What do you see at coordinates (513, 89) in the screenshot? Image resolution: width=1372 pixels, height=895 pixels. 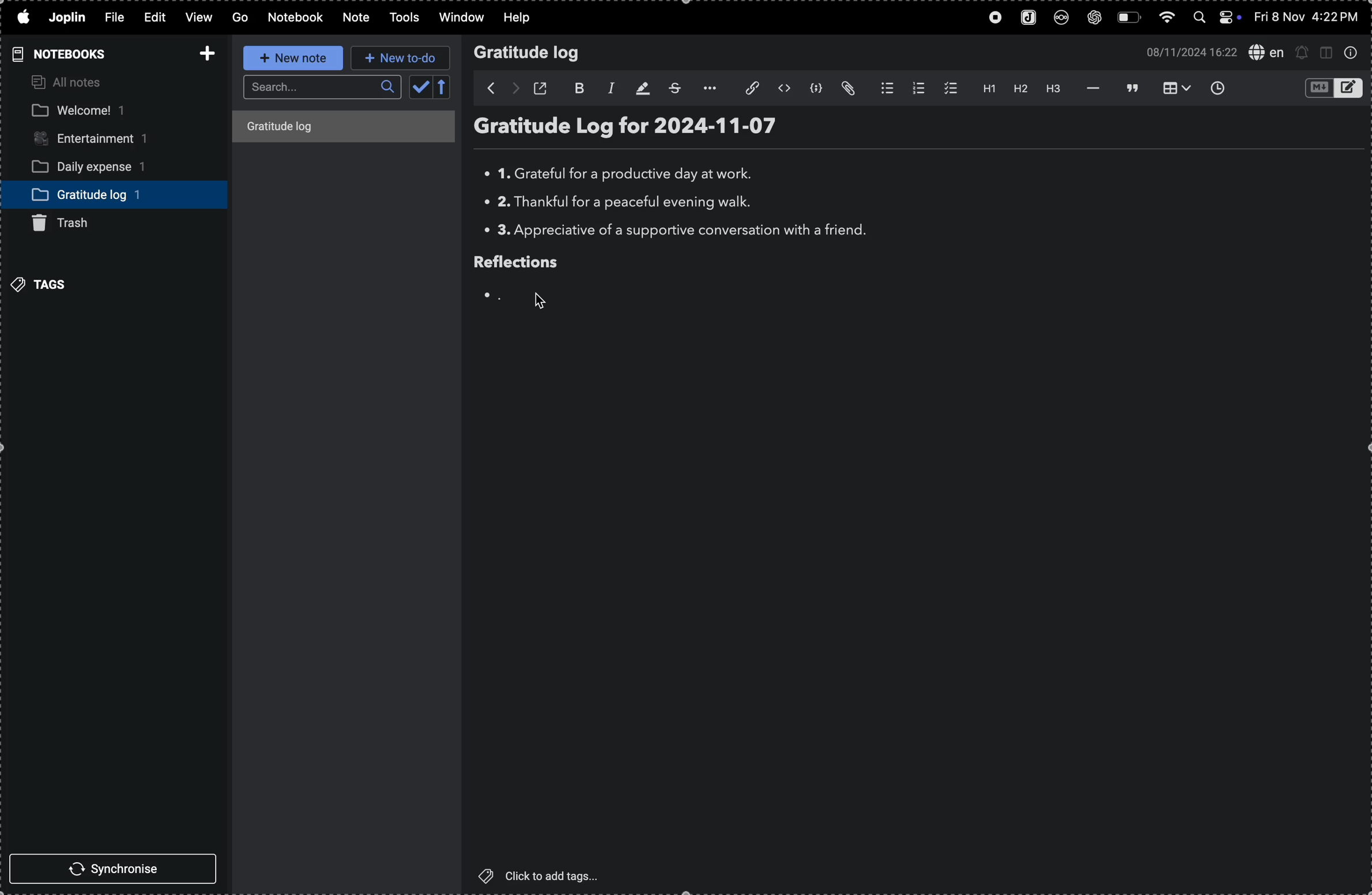 I see `forward` at bounding box center [513, 89].